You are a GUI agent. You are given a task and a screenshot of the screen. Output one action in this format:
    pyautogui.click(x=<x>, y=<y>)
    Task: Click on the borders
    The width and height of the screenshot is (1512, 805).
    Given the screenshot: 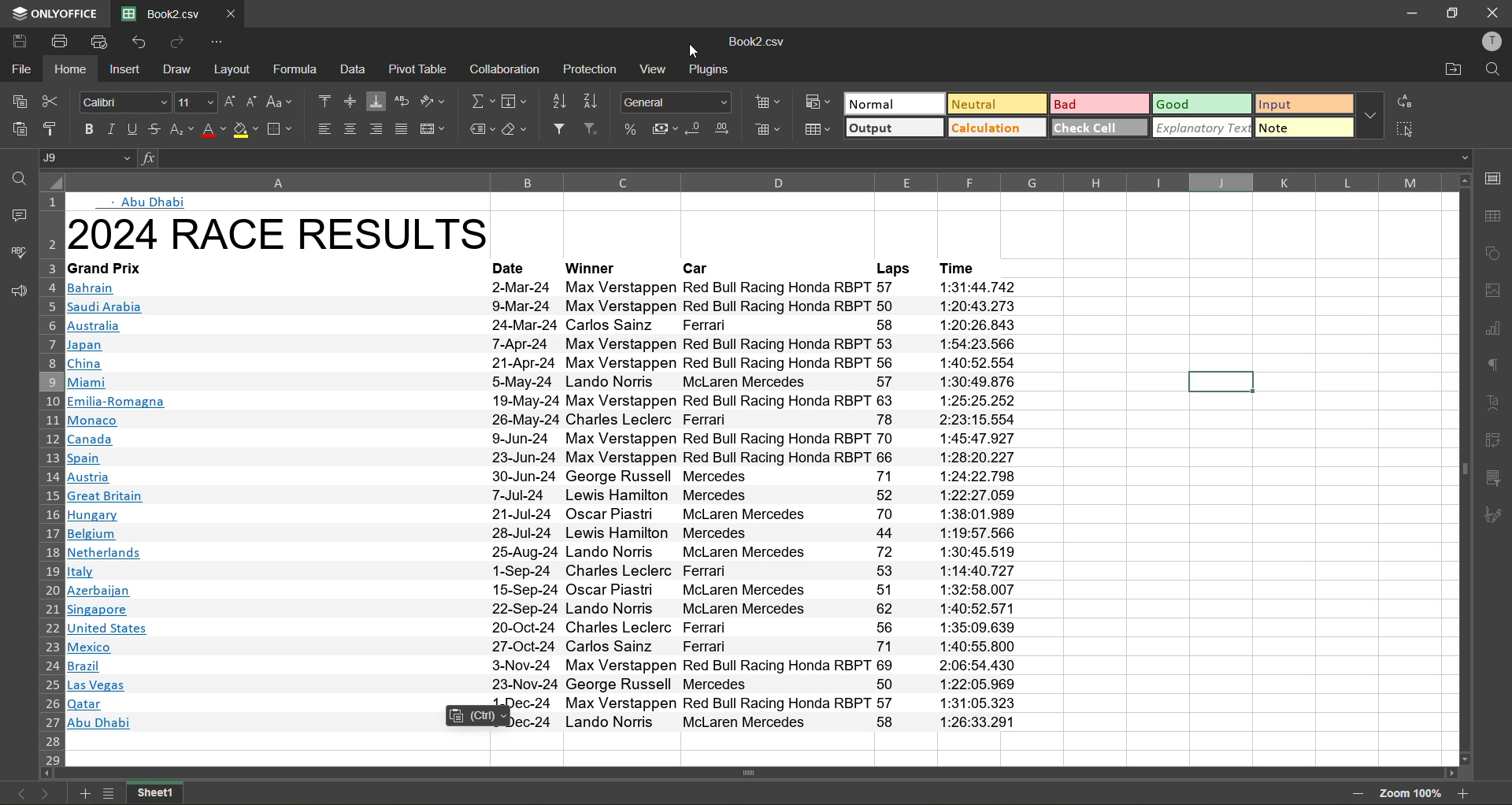 What is the action you would take?
    pyautogui.click(x=283, y=127)
    